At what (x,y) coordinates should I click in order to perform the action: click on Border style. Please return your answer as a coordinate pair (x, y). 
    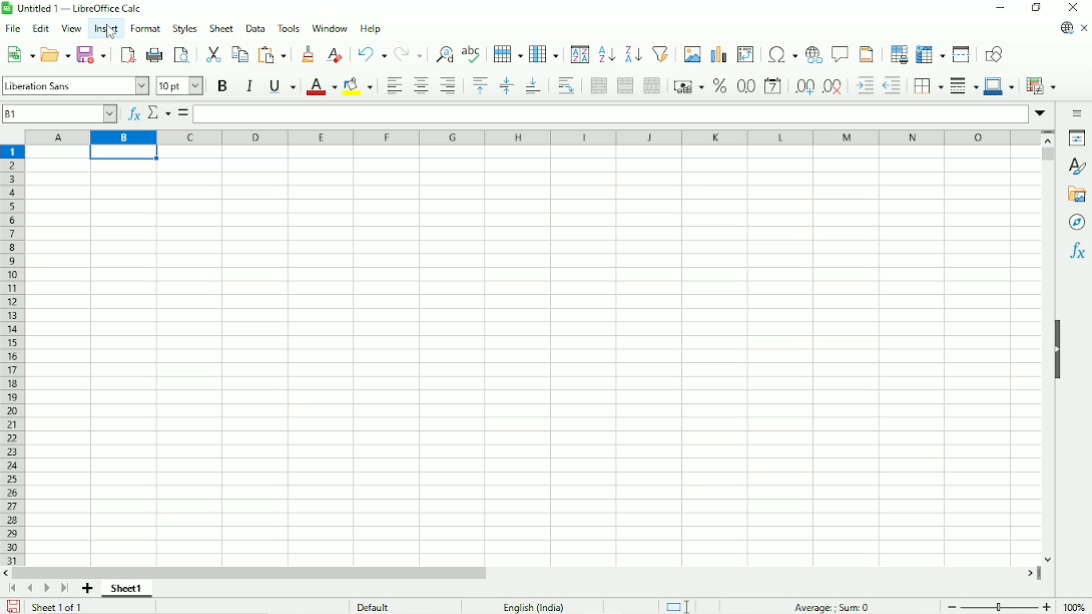
    Looking at the image, I should click on (964, 85).